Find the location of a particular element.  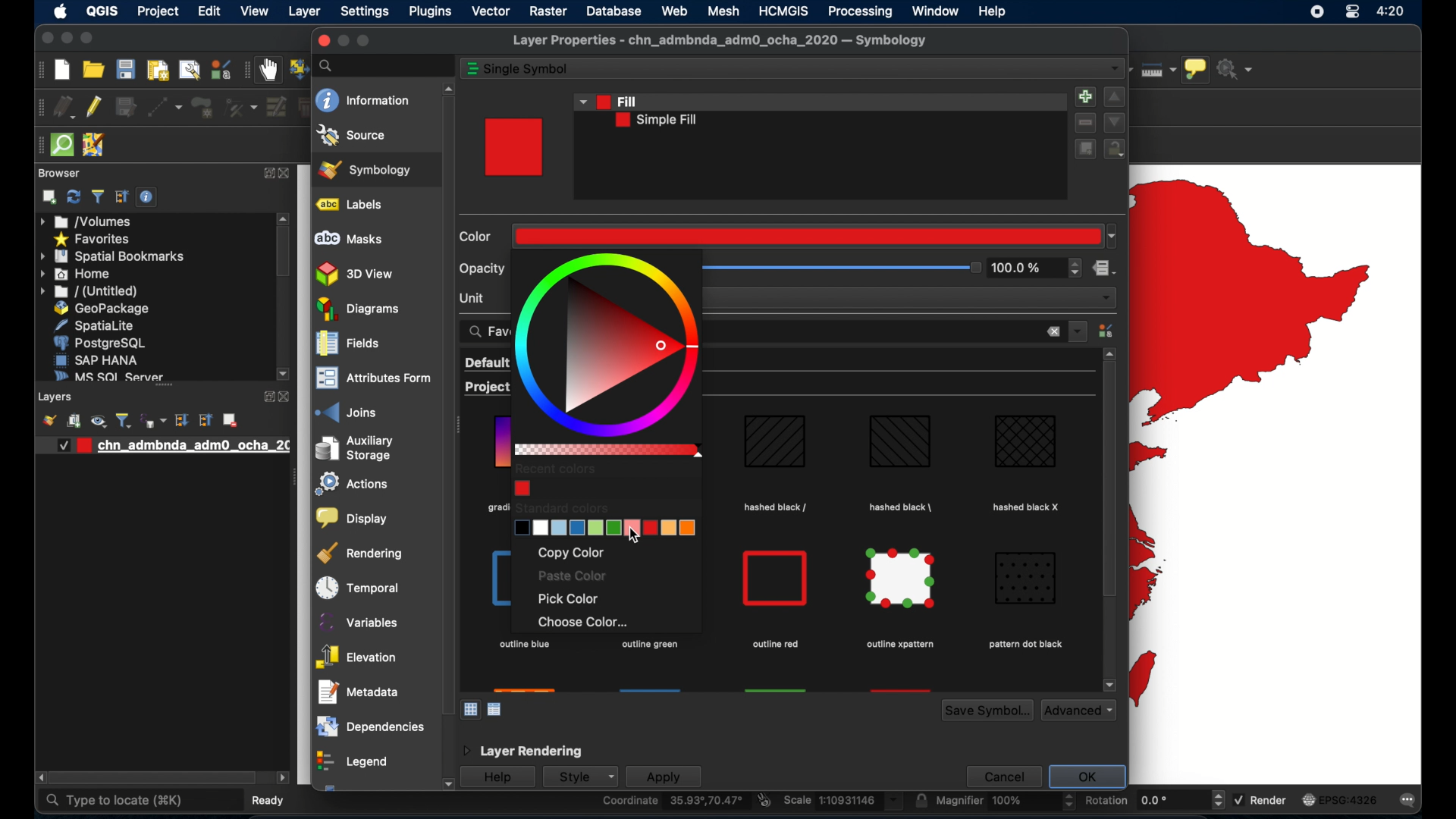

add symbol layer color is located at coordinates (1084, 96).